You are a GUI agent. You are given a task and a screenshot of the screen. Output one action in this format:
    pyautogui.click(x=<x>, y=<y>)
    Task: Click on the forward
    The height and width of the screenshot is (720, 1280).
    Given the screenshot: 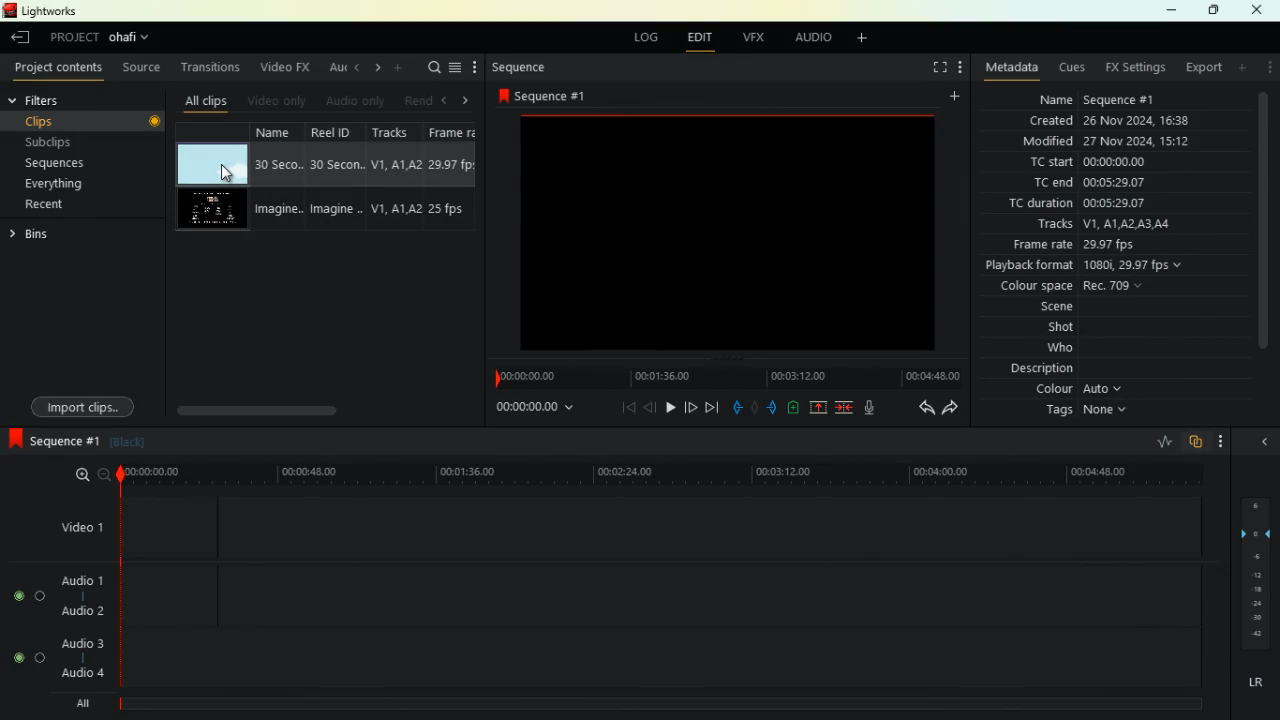 What is the action you would take?
    pyautogui.click(x=954, y=409)
    